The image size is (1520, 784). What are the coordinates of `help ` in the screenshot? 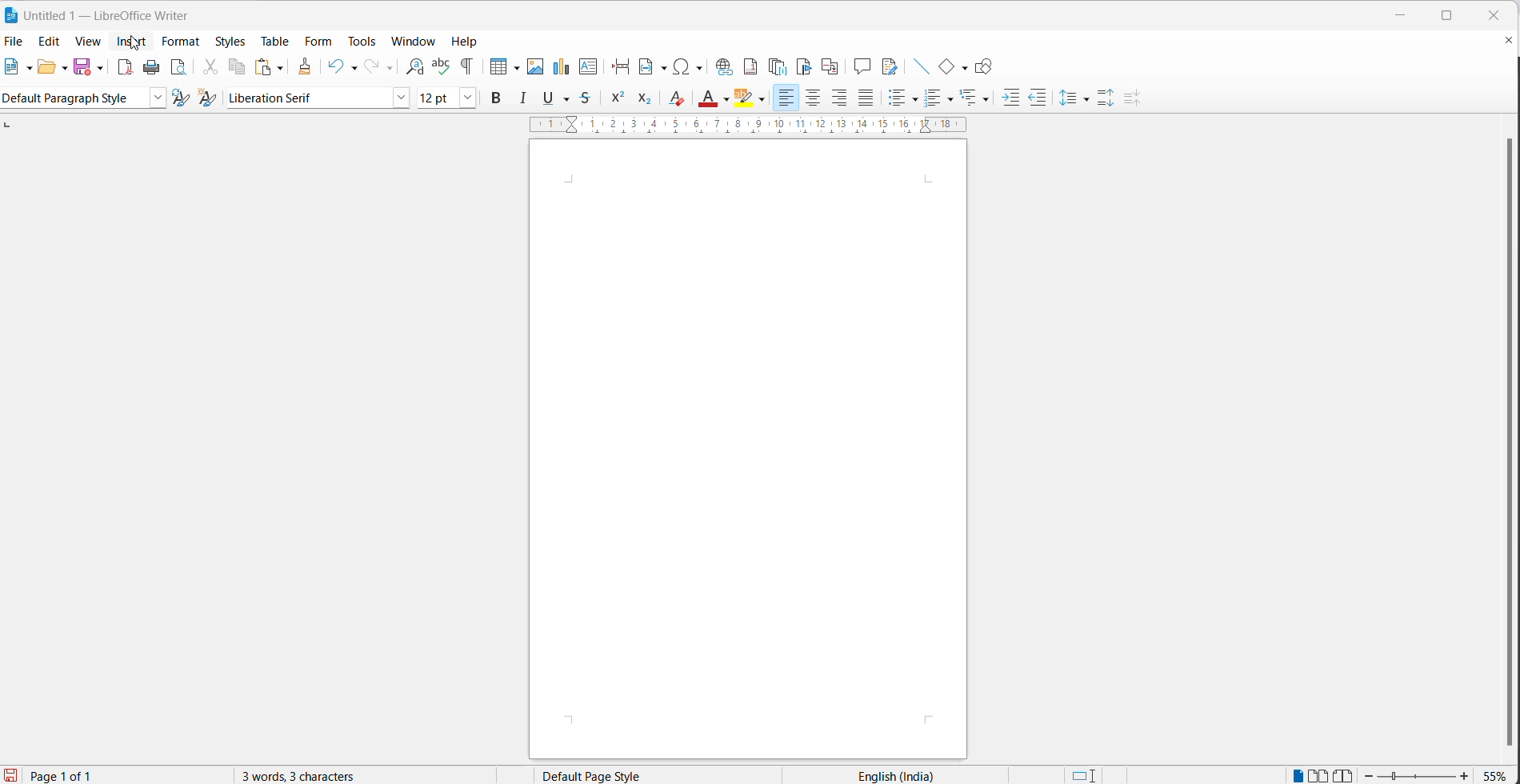 It's located at (469, 42).